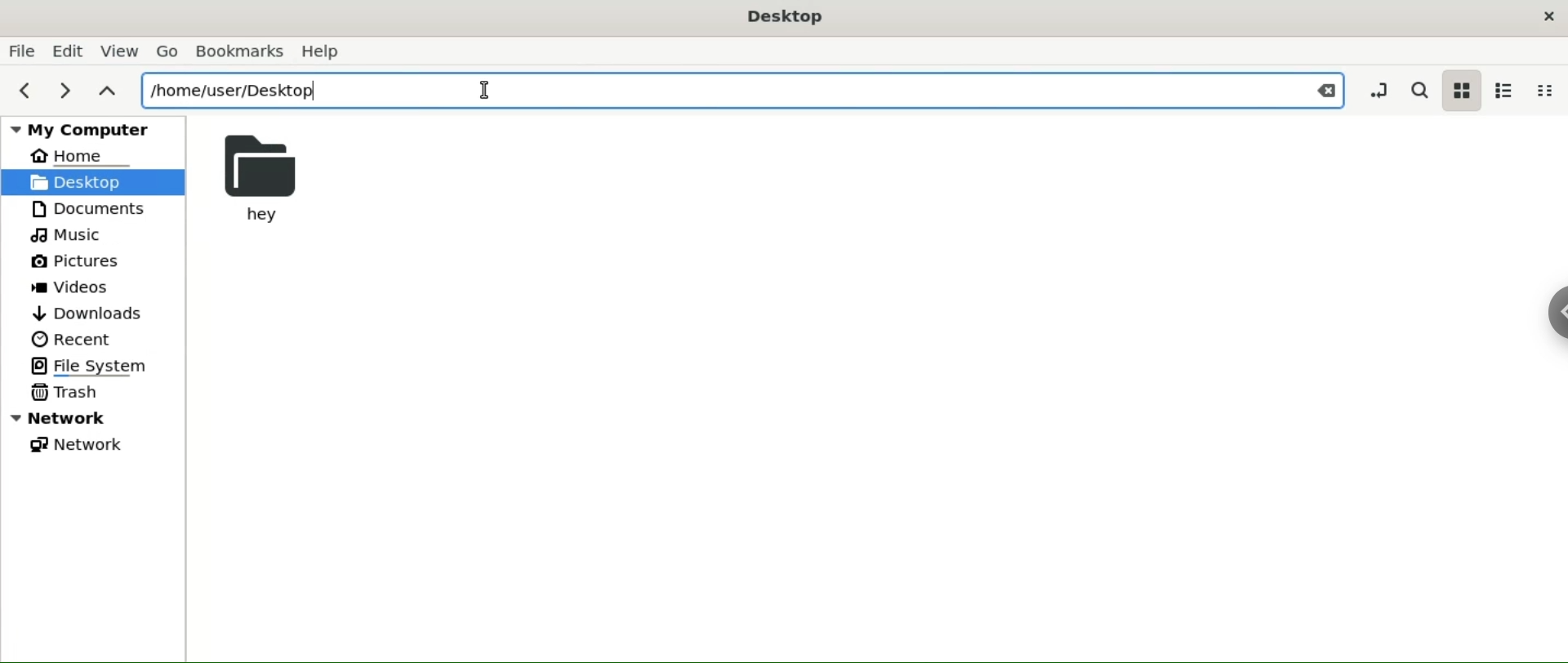  What do you see at coordinates (490, 92) in the screenshot?
I see `Cursor` at bounding box center [490, 92].